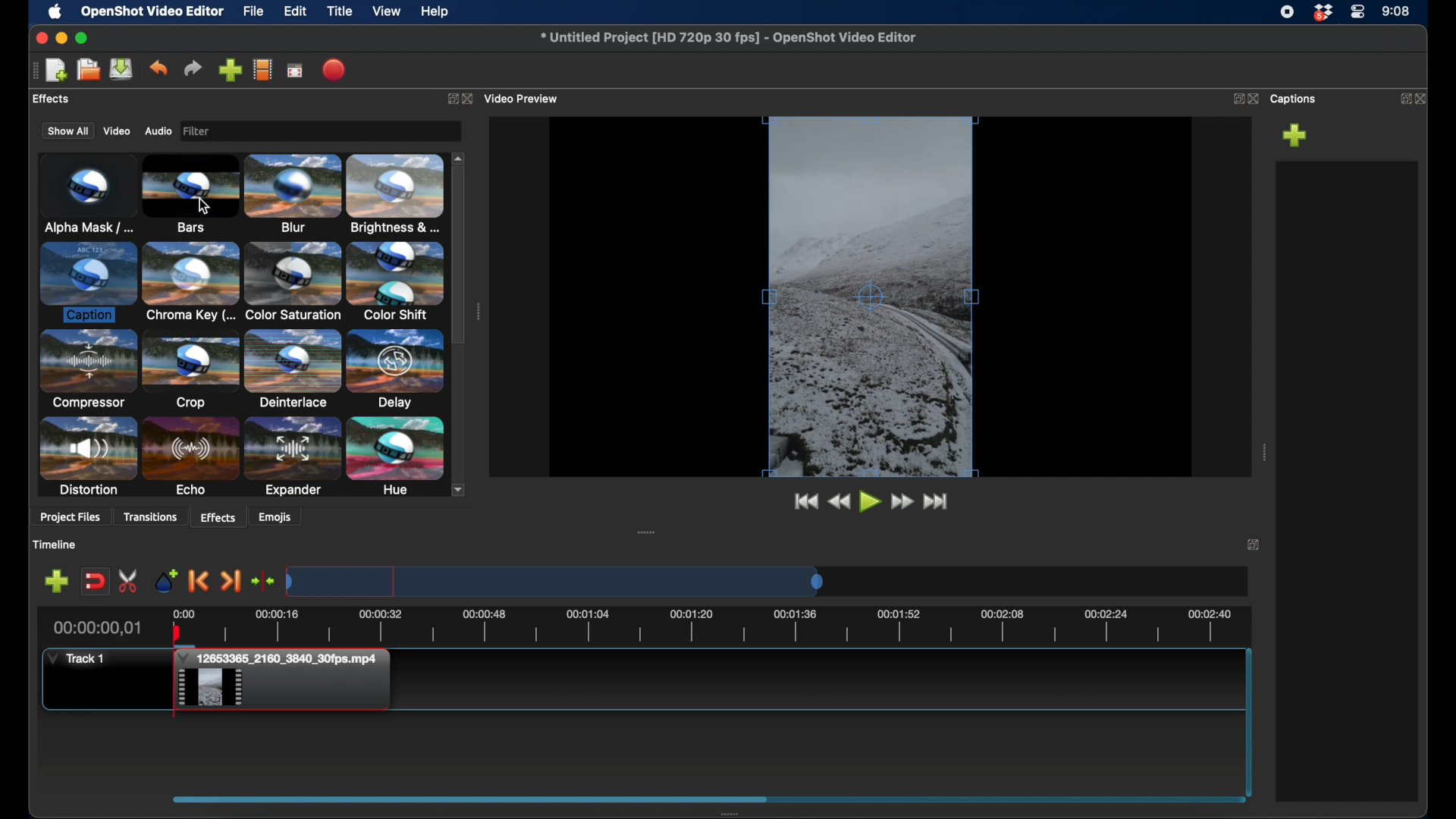 The image size is (1456, 819). What do you see at coordinates (190, 196) in the screenshot?
I see `bars` at bounding box center [190, 196].